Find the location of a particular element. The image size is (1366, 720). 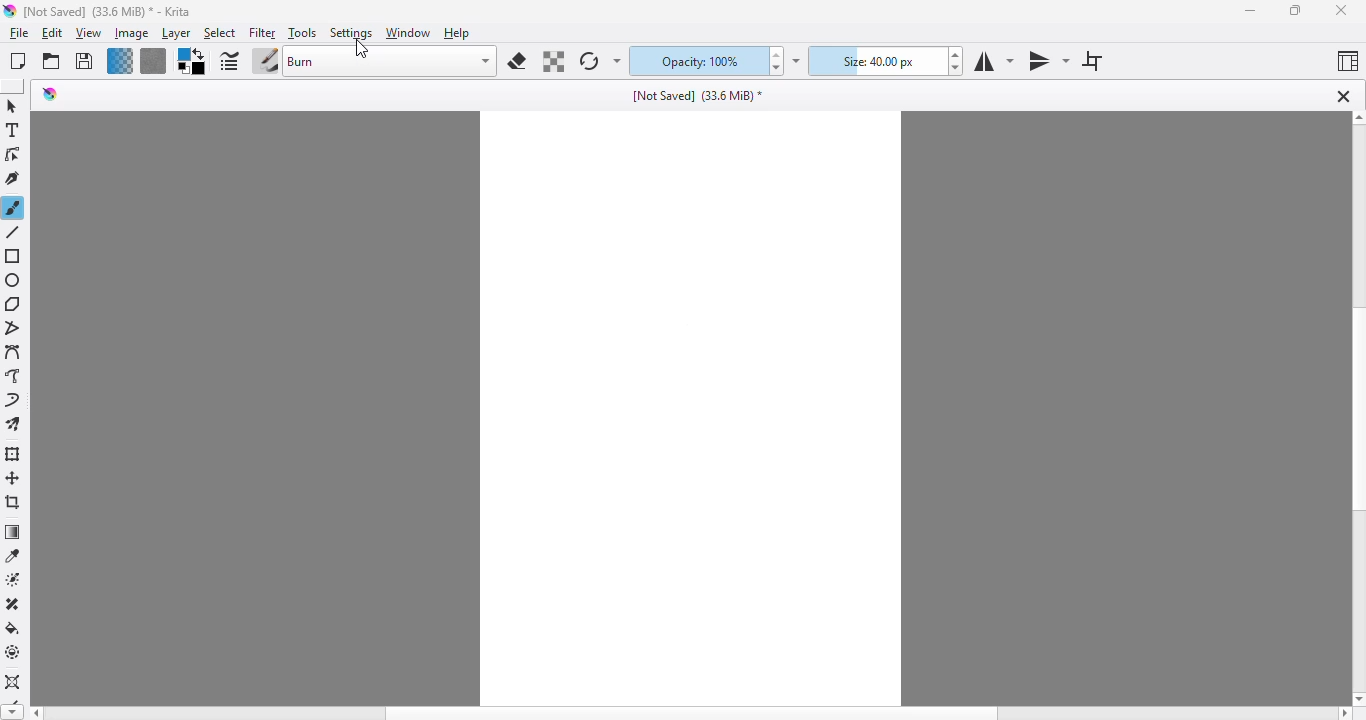

scroll left is located at coordinates (34, 713).